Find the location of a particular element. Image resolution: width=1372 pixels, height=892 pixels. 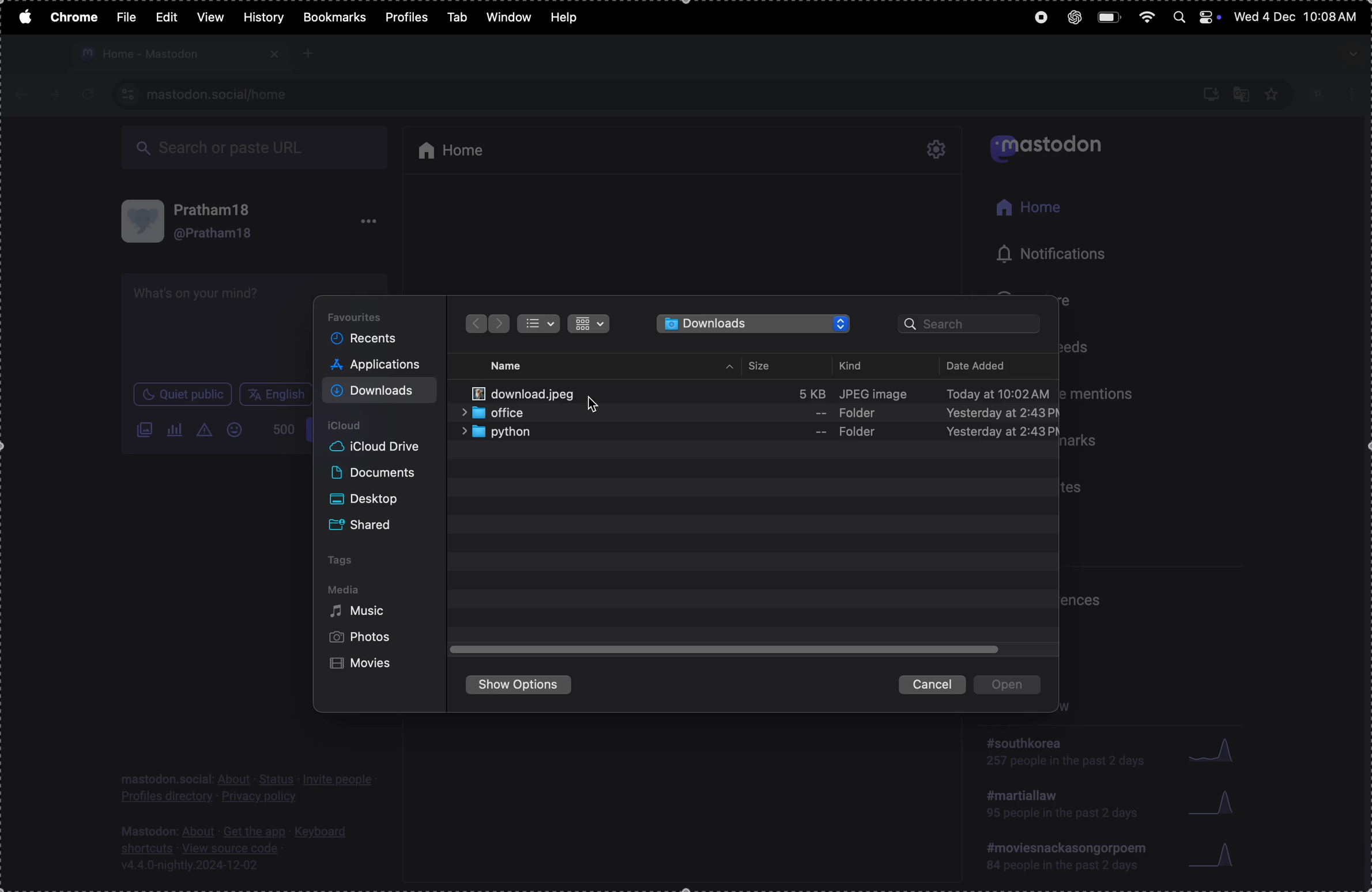

English is located at coordinates (276, 394).